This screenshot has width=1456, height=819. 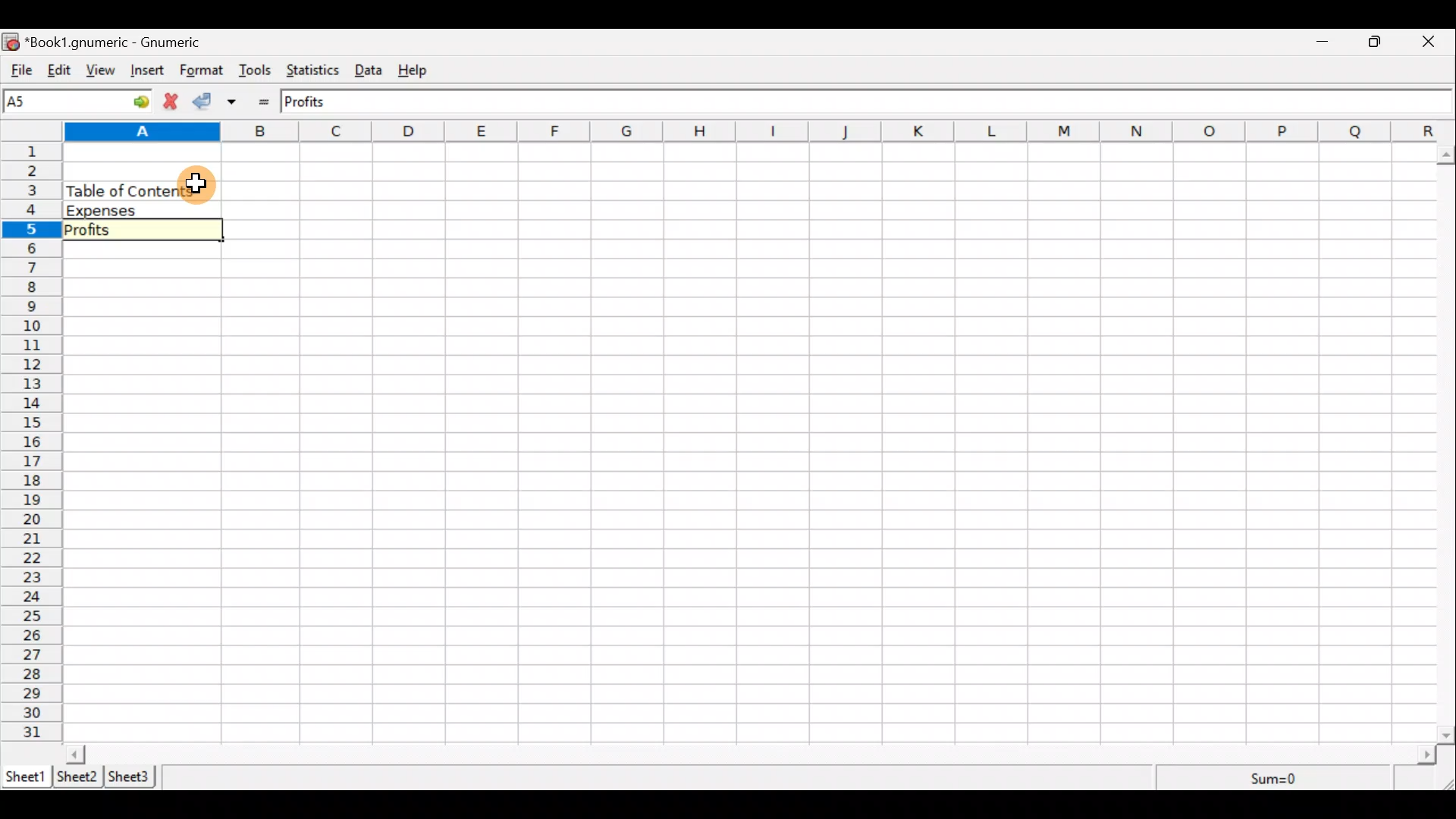 What do you see at coordinates (174, 103) in the screenshot?
I see `Cancel change` at bounding box center [174, 103].